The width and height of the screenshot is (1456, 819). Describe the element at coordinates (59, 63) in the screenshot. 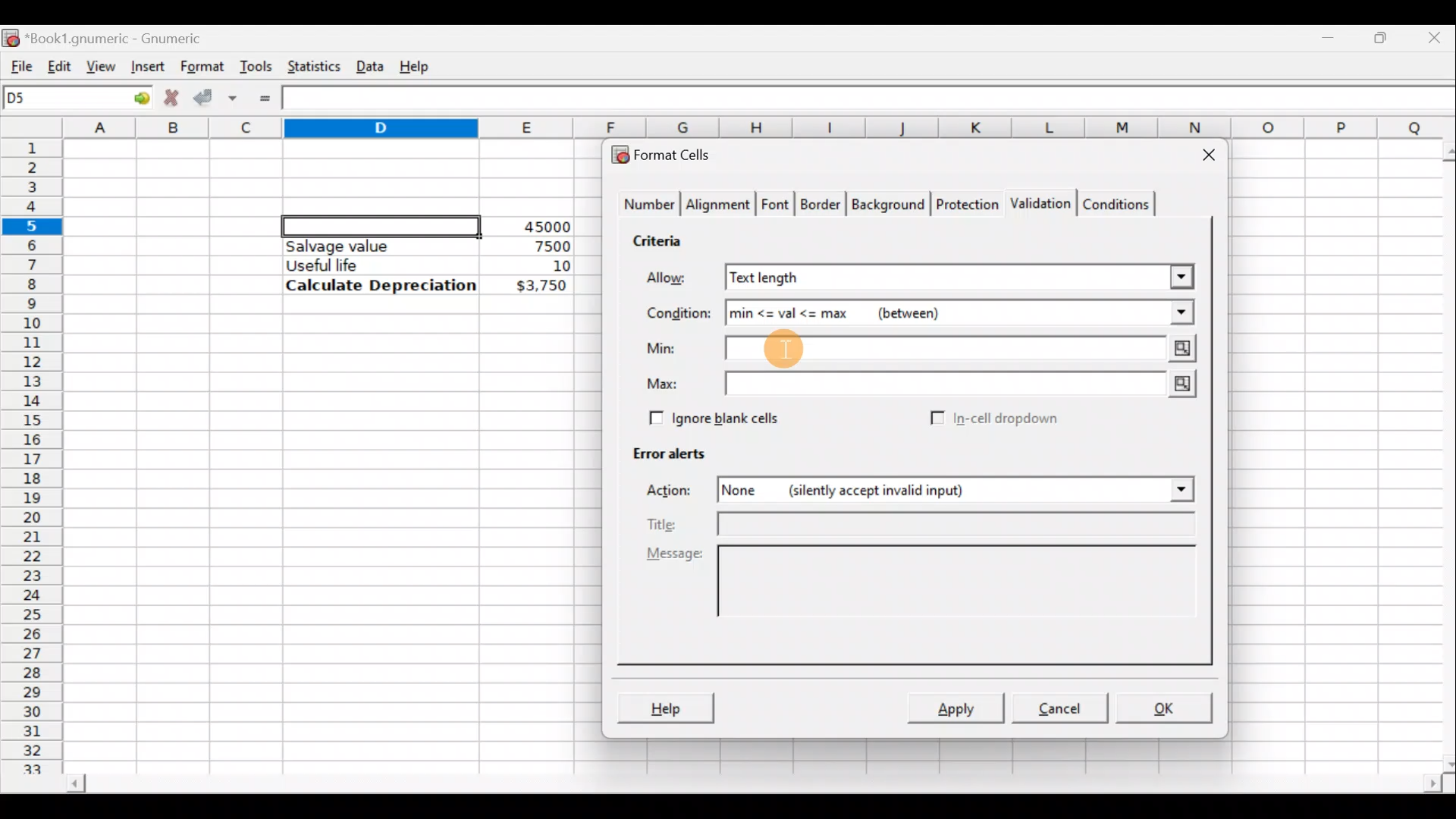

I see `Edit` at that location.